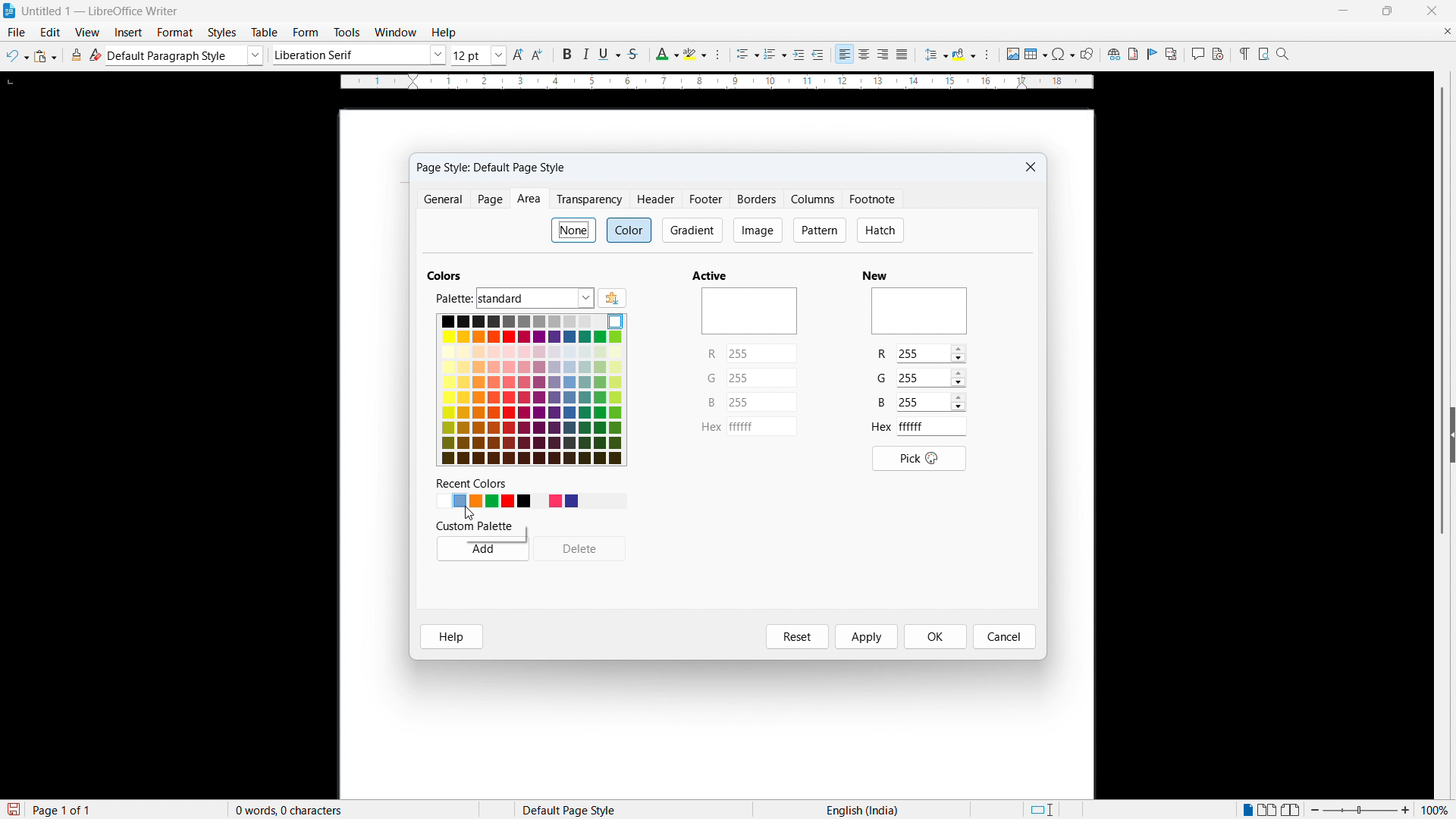  I want to click on Insert footnote , so click(1132, 54).